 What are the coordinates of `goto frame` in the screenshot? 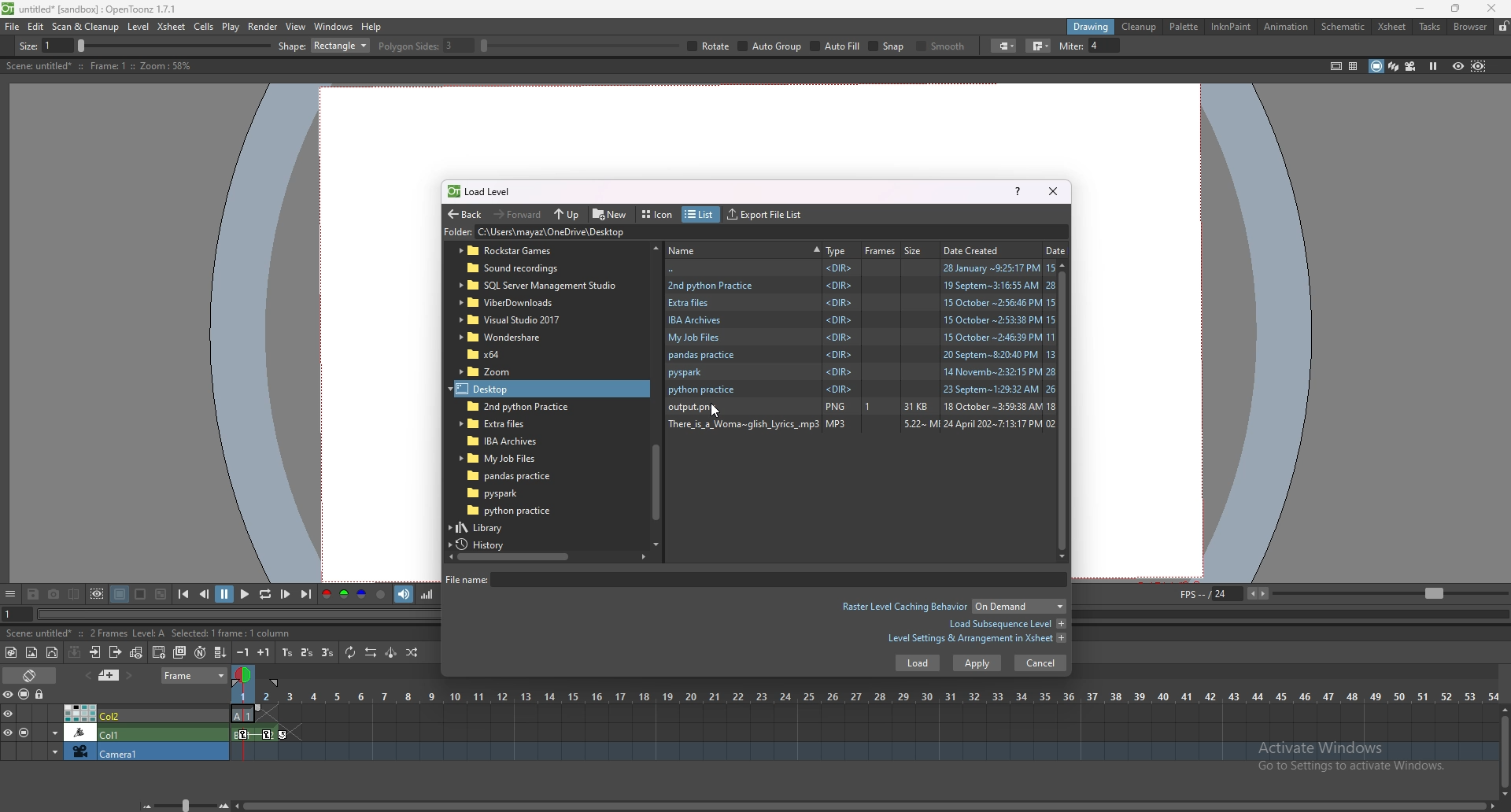 It's located at (17, 615).